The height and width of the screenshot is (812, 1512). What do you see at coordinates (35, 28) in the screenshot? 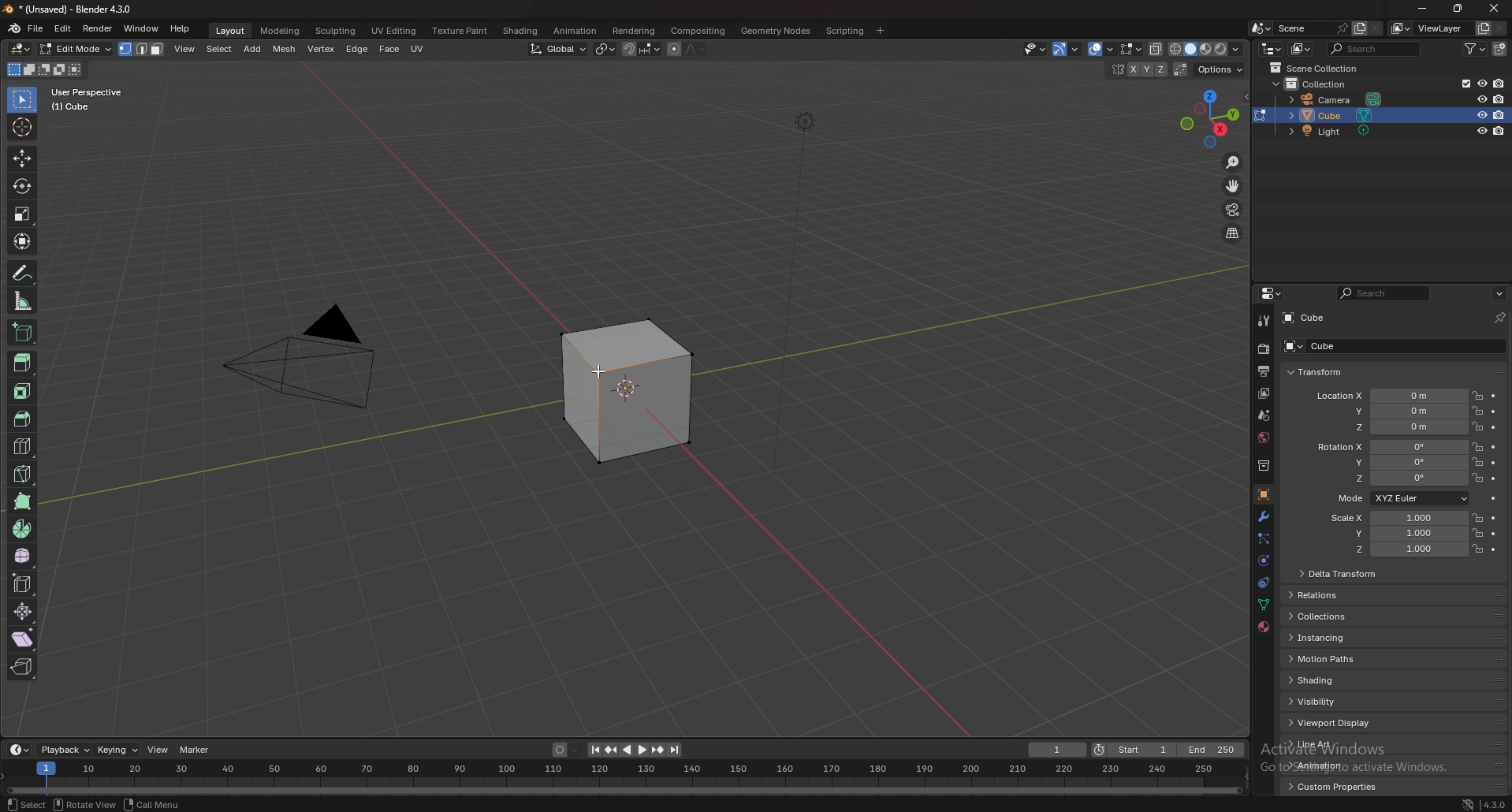
I see `file` at bounding box center [35, 28].